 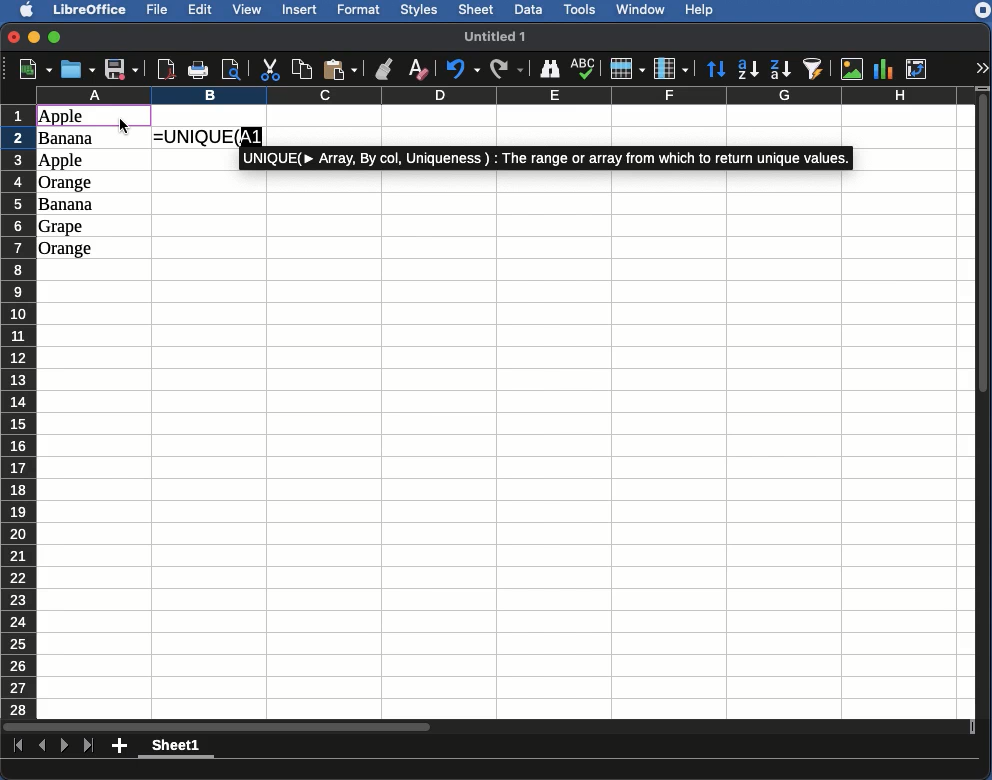 I want to click on Banana, so click(x=67, y=205).